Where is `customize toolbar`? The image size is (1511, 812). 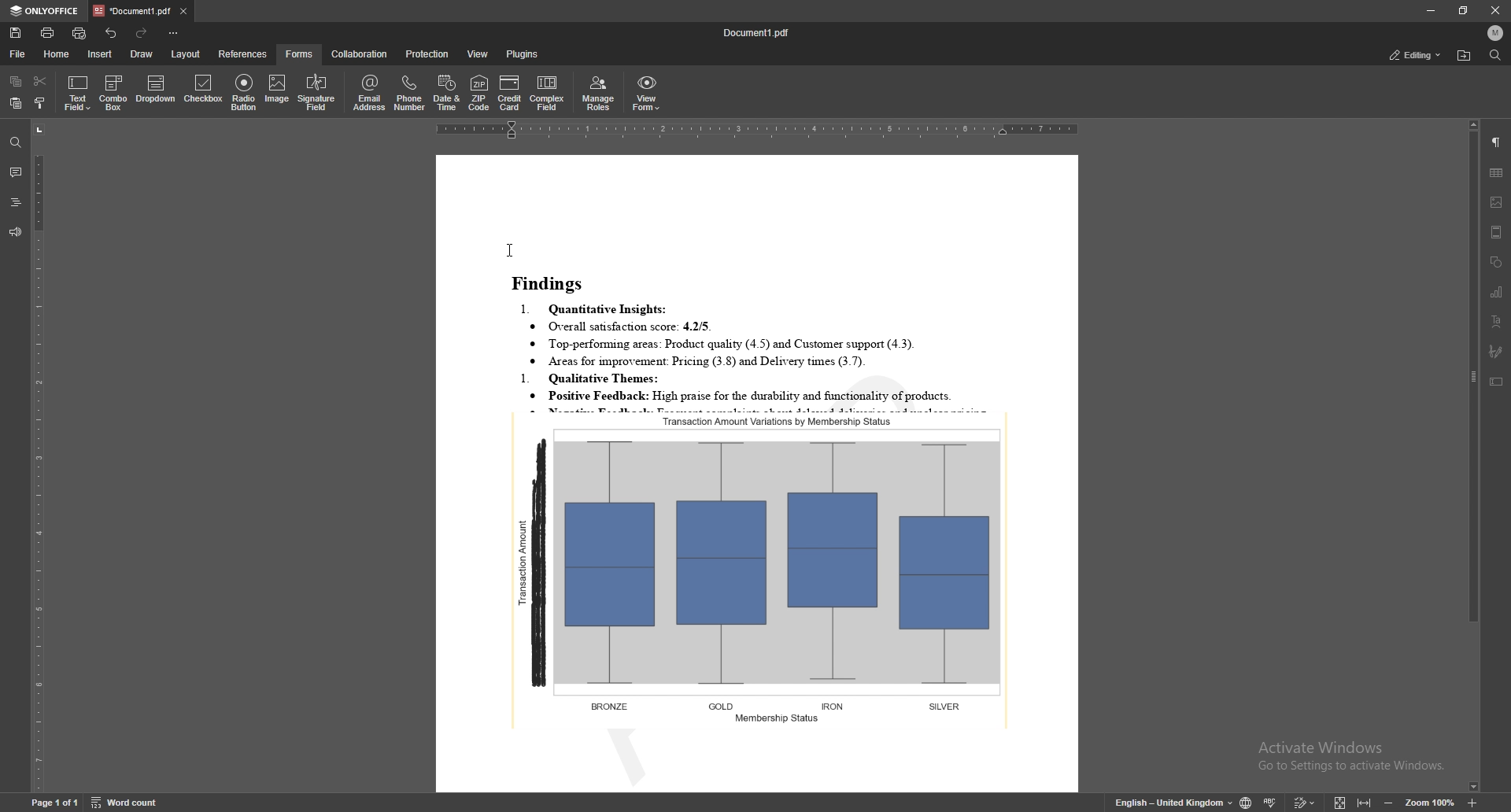
customize toolbar is located at coordinates (175, 34).